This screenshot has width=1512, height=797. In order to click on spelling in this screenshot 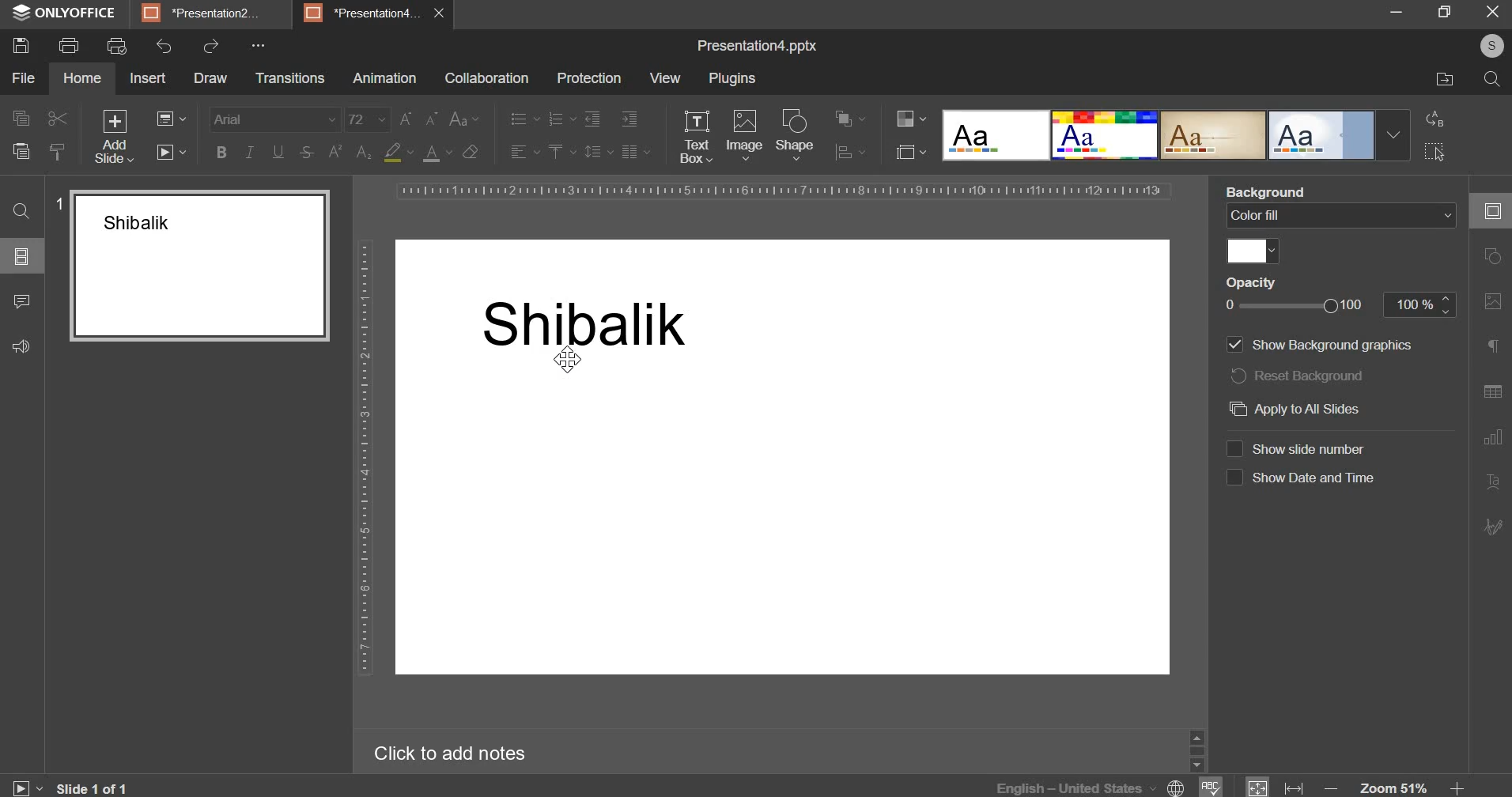, I will do `click(1214, 785)`.